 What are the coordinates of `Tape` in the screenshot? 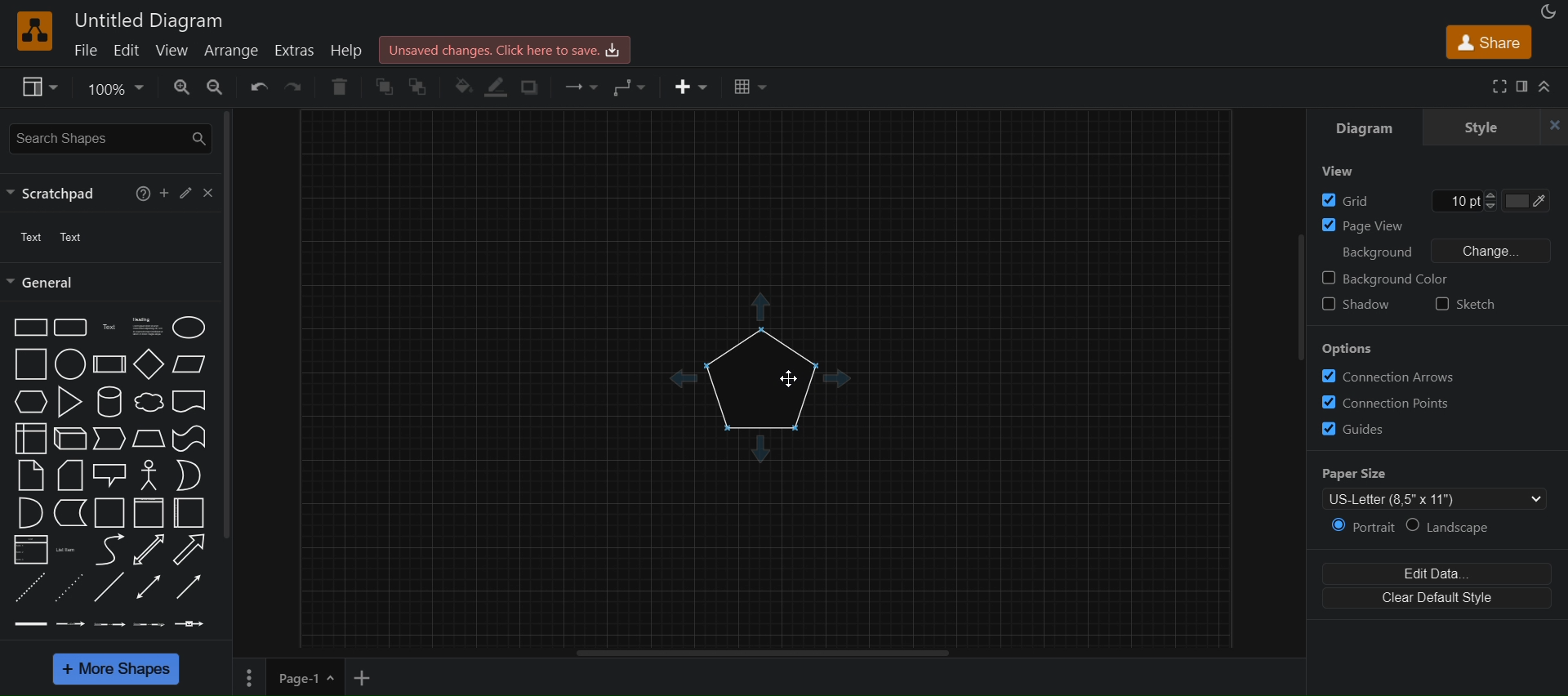 It's located at (189, 439).